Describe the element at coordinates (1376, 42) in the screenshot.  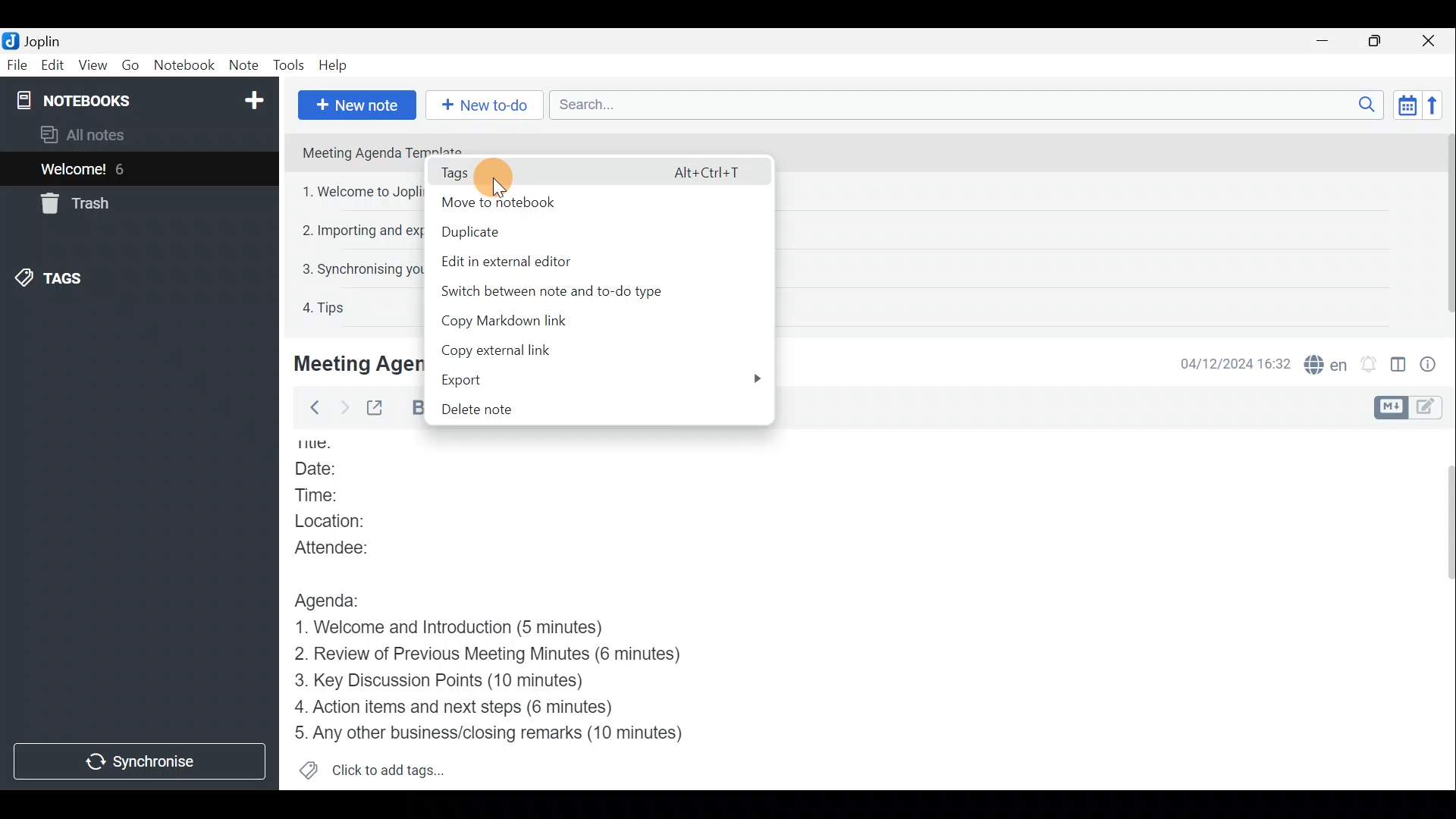
I see `Maximise` at that location.